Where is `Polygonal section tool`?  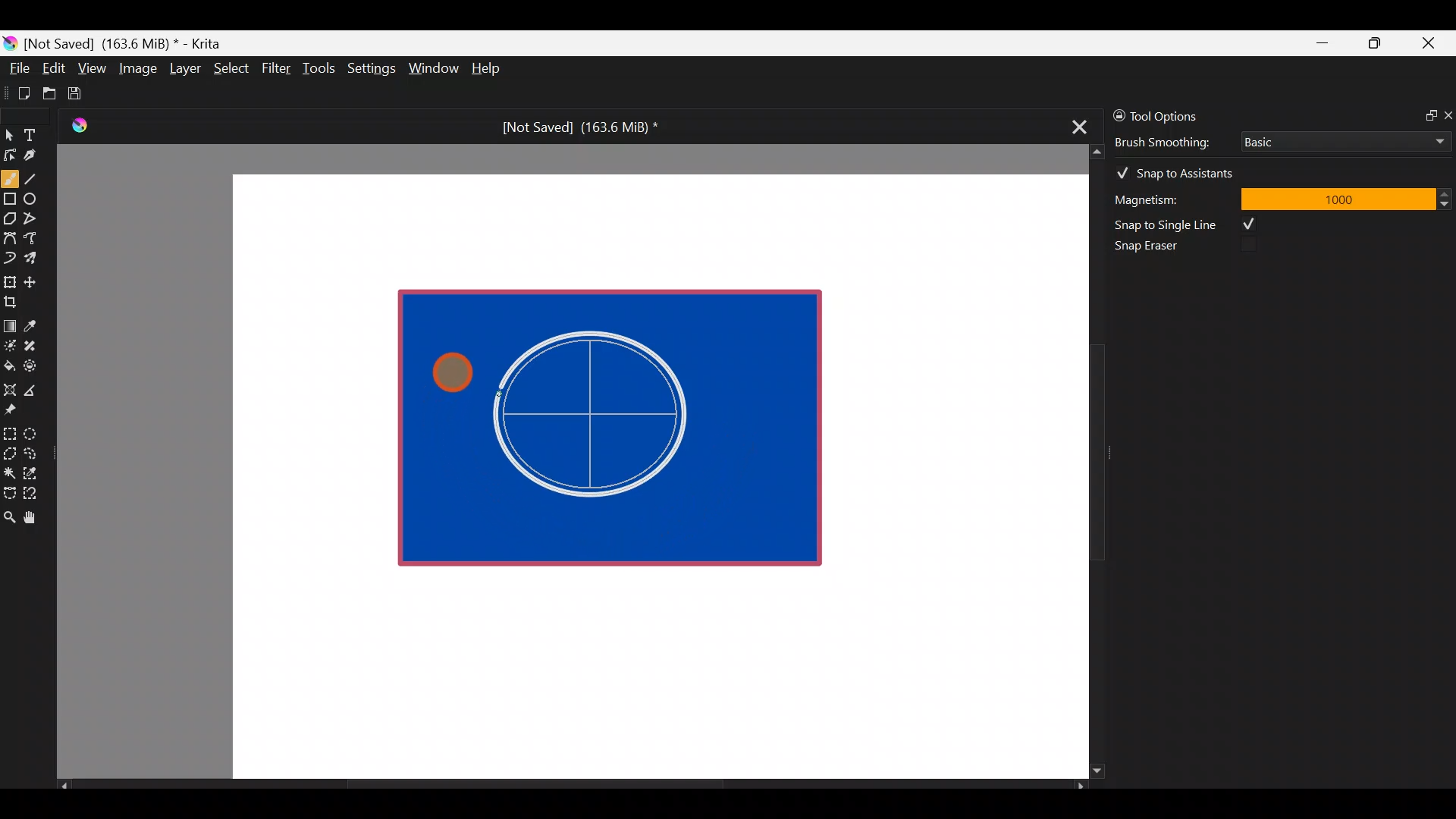
Polygonal section tool is located at coordinates (9, 450).